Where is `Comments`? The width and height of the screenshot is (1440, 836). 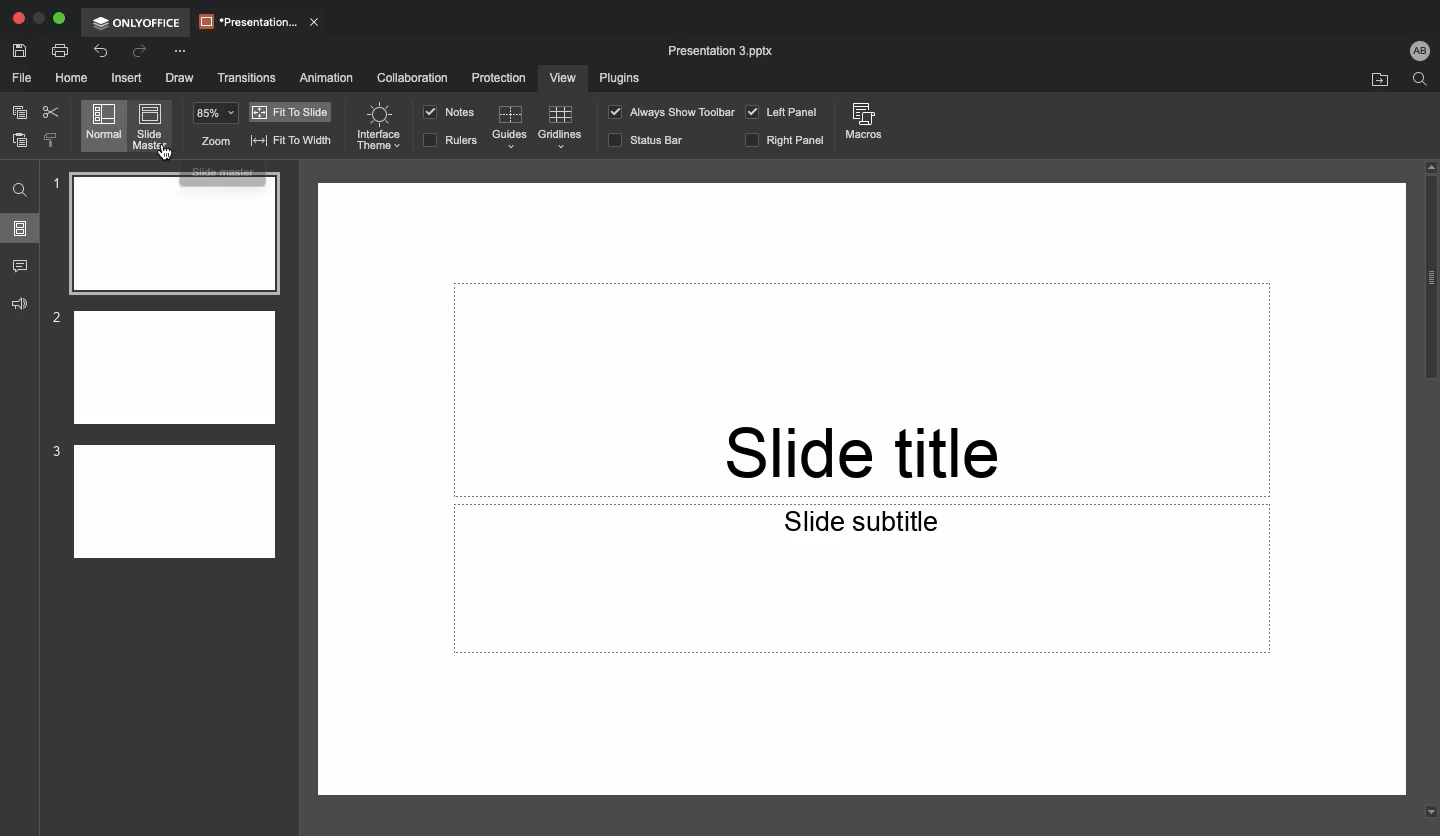
Comments is located at coordinates (23, 267).